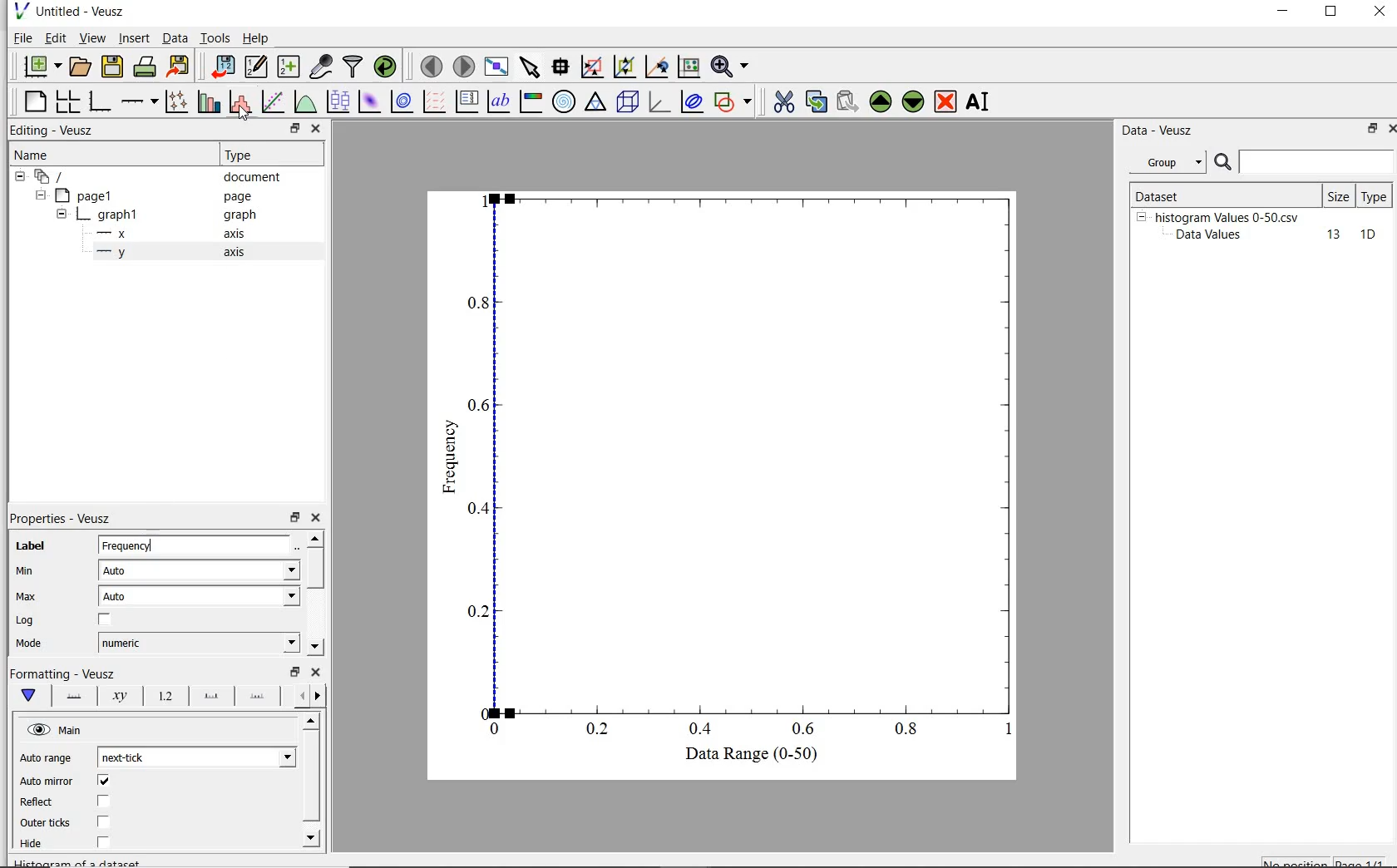  Describe the element at coordinates (913, 104) in the screenshot. I see `move down the selected widget` at that location.